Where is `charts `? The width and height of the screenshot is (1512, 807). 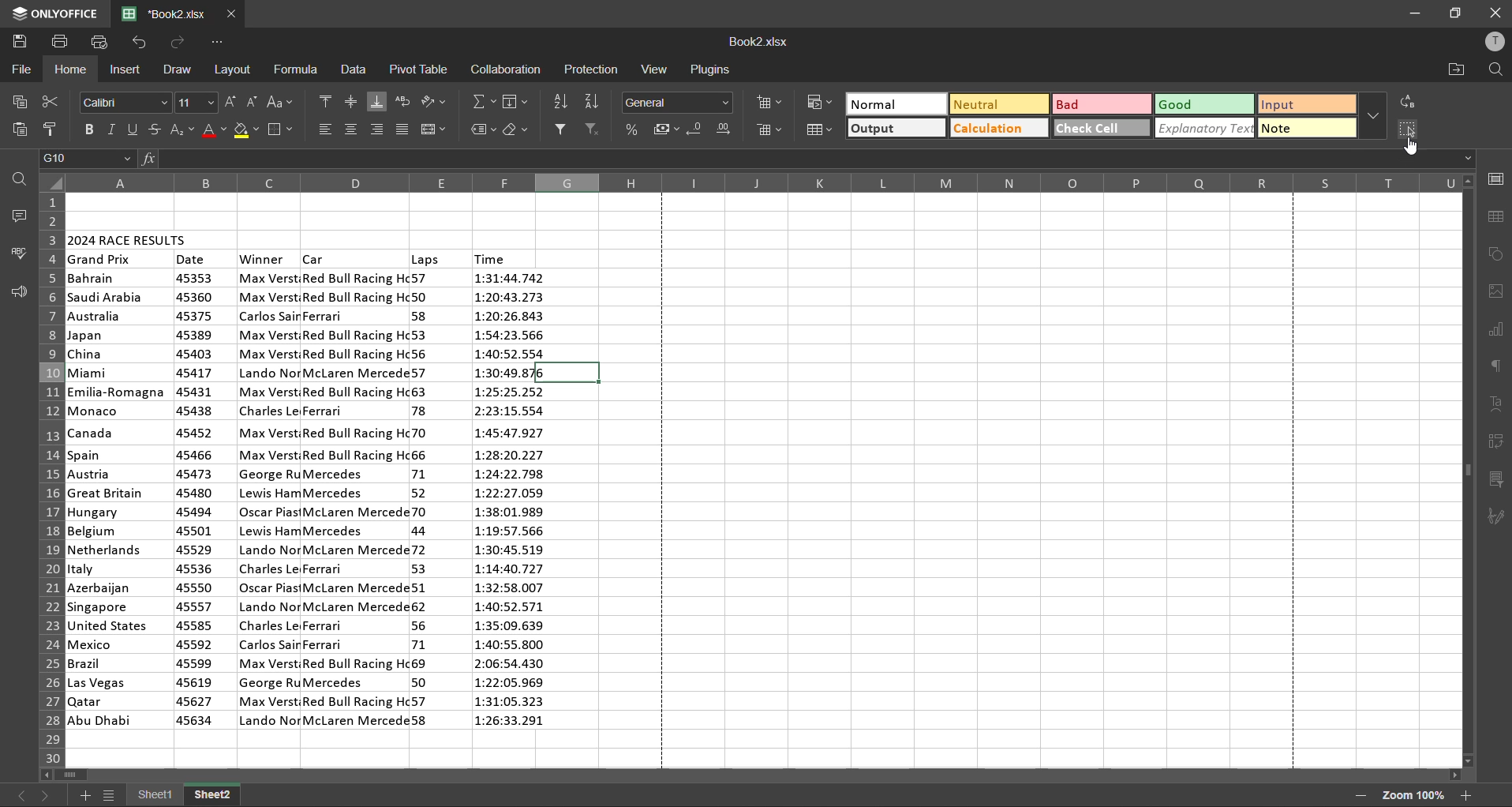 charts  is located at coordinates (1496, 330).